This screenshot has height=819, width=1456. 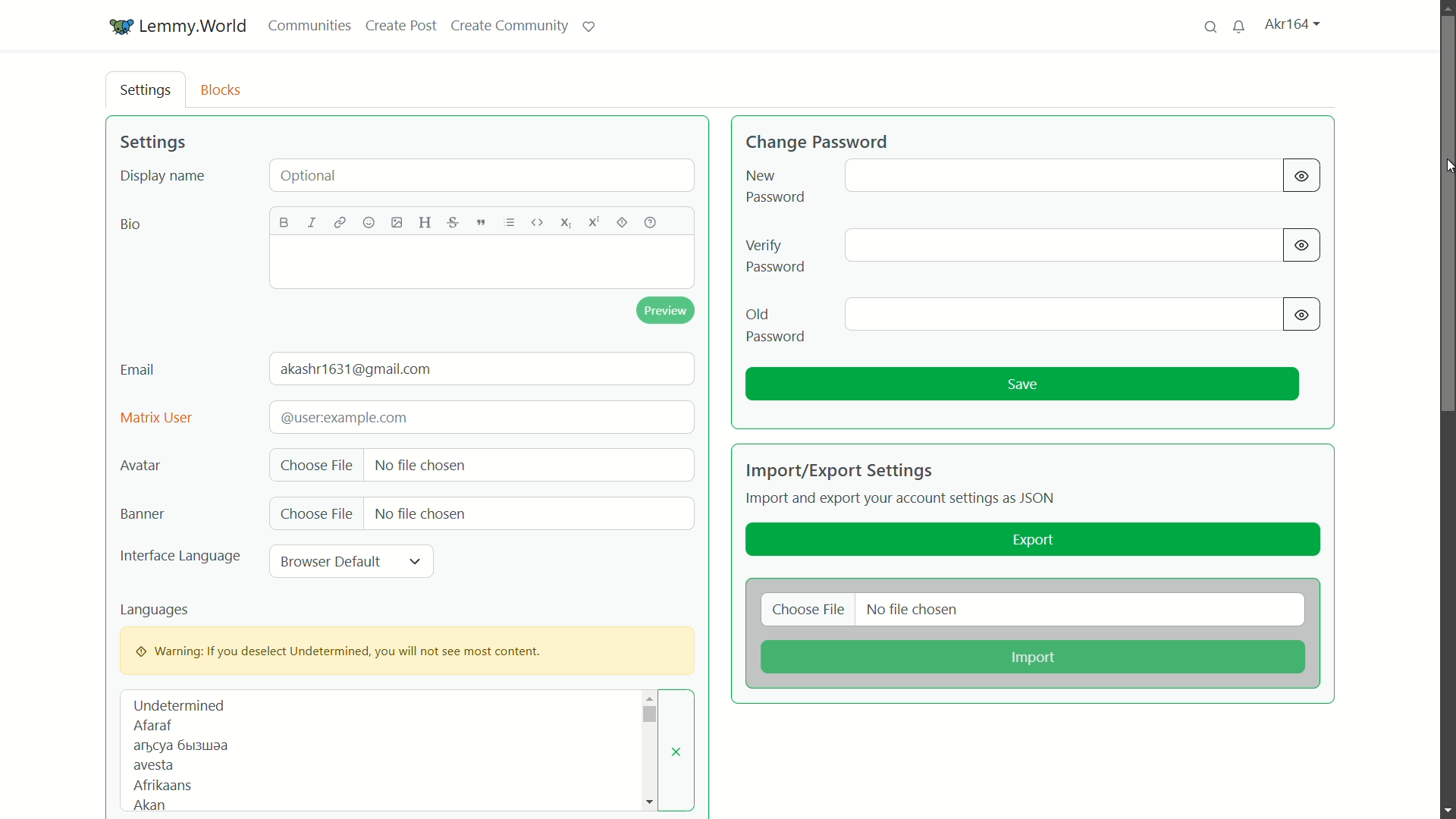 I want to click on communities, so click(x=308, y=26).